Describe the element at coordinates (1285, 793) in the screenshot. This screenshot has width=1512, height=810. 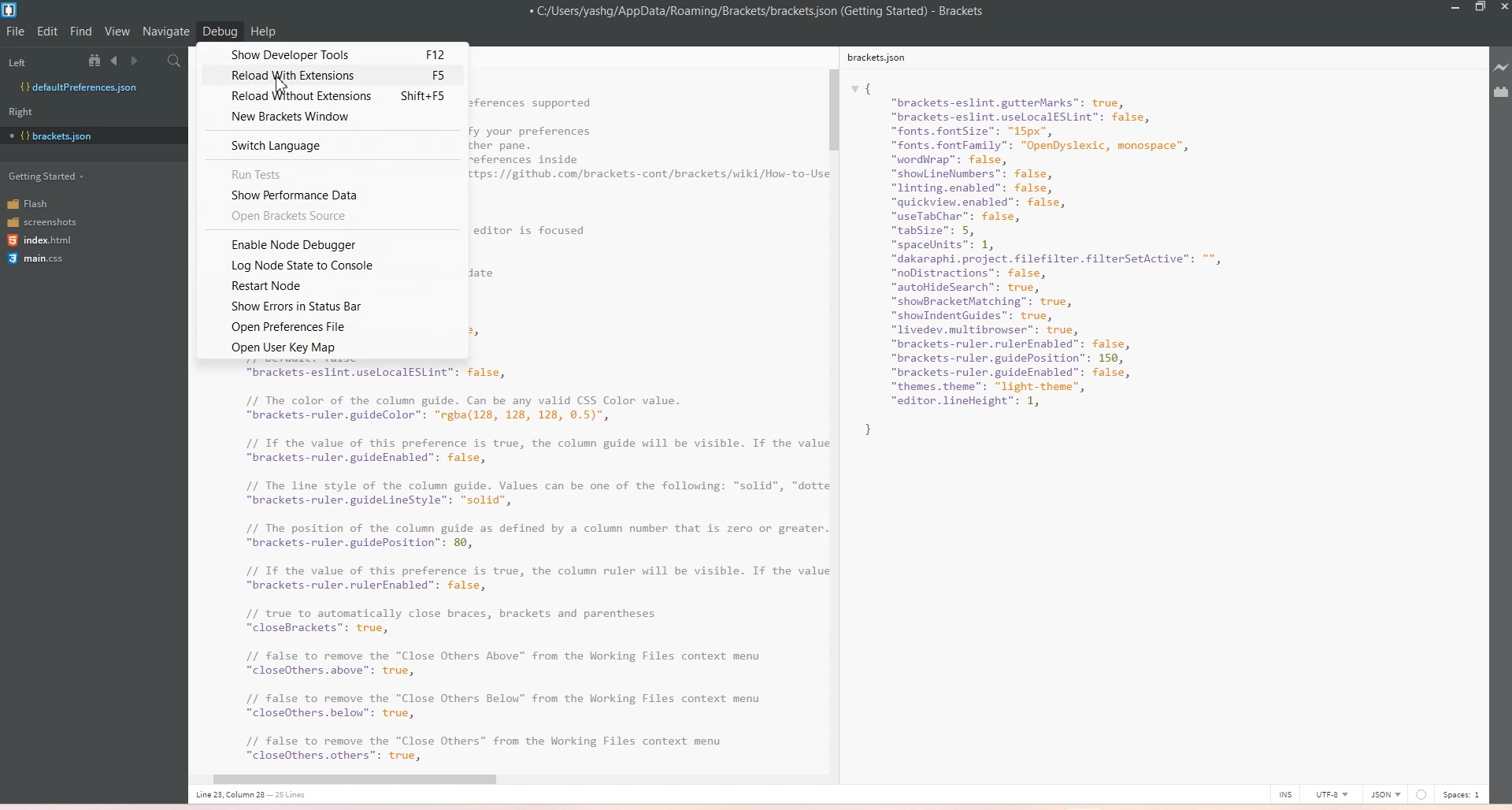
I see `INS` at that location.